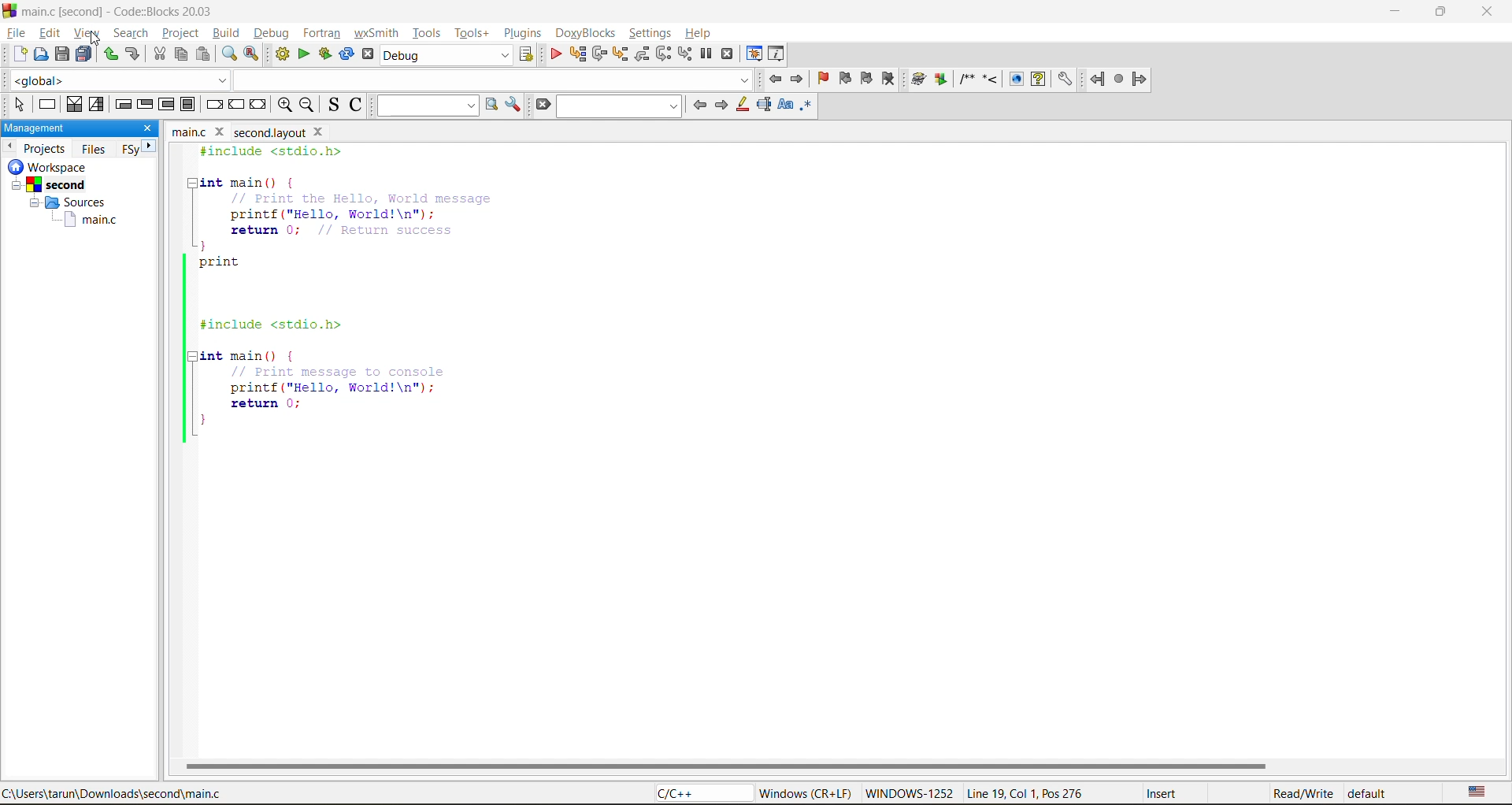  Describe the element at coordinates (845, 78) in the screenshot. I see `previous bookmark` at that location.